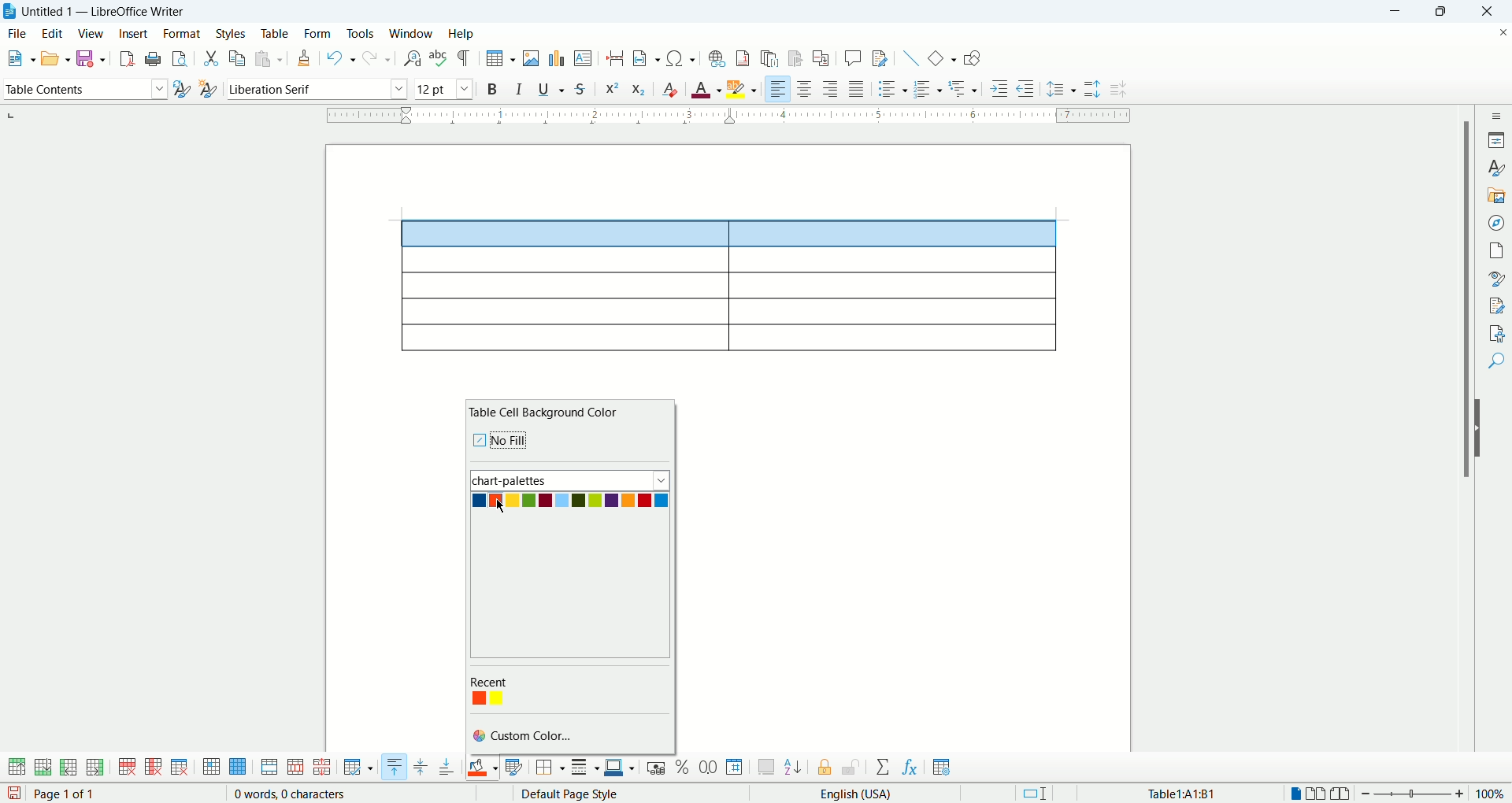 This screenshot has height=803, width=1512. Describe the element at coordinates (413, 33) in the screenshot. I see `window` at that location.